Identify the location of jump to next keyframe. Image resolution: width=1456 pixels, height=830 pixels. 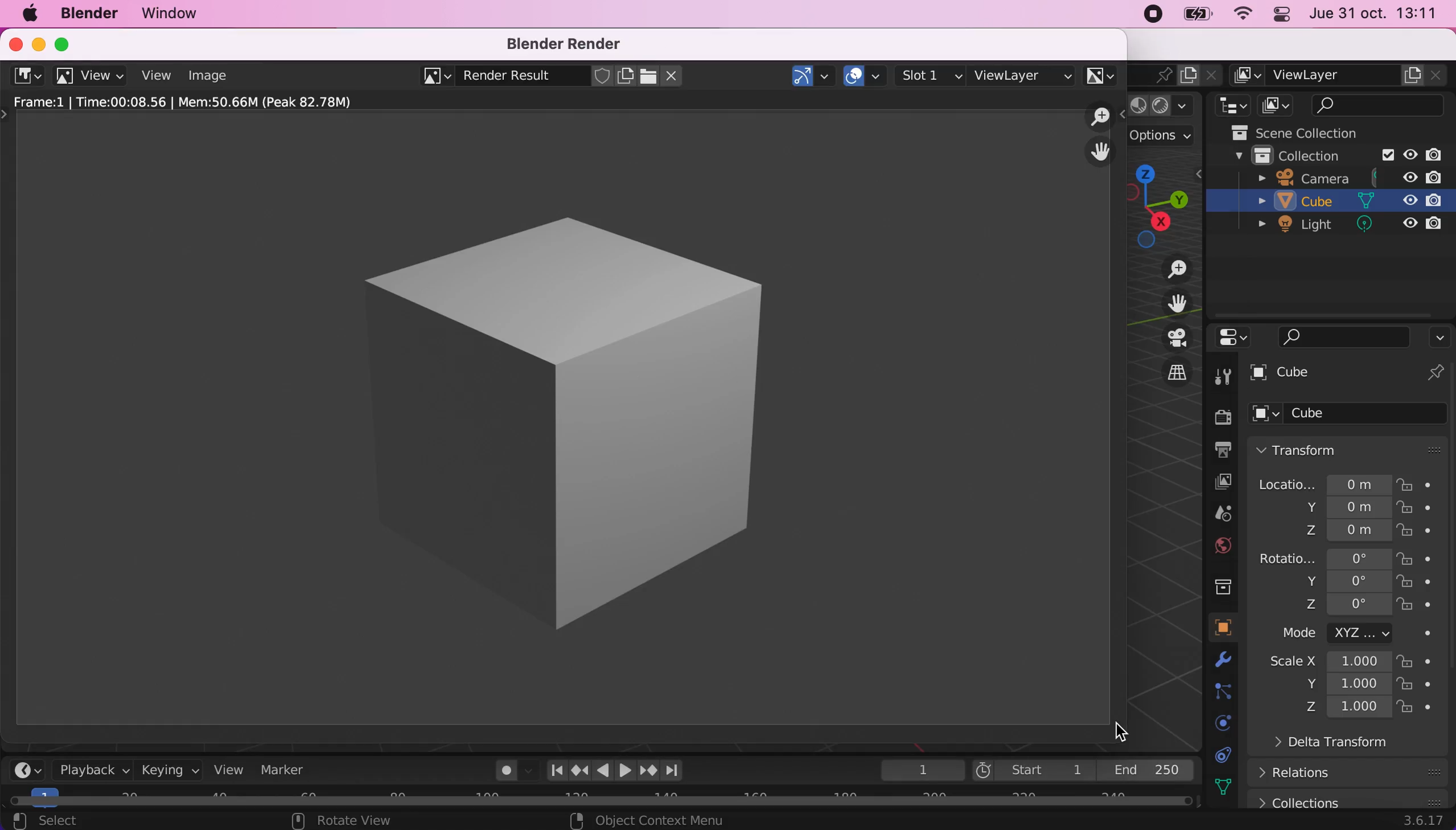
(647, 770).